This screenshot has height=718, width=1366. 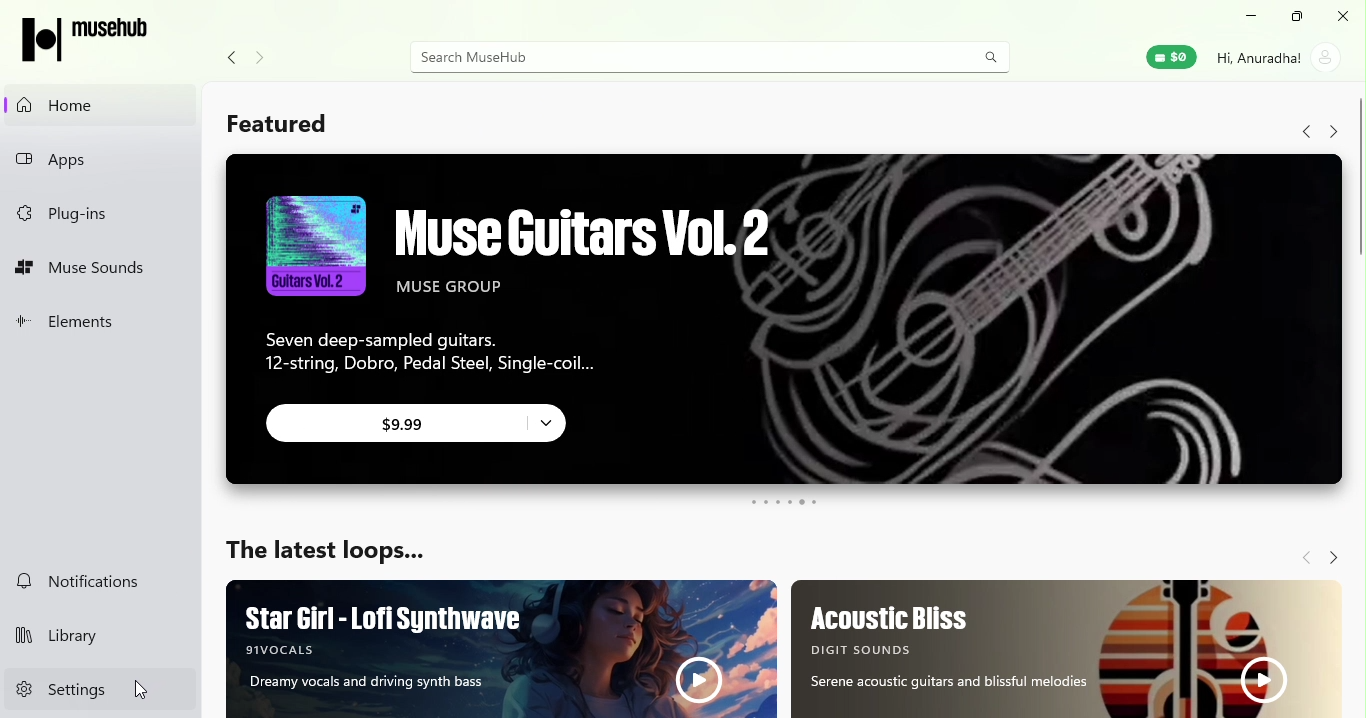 I want to click on Apps, so click(x=104, y=160).